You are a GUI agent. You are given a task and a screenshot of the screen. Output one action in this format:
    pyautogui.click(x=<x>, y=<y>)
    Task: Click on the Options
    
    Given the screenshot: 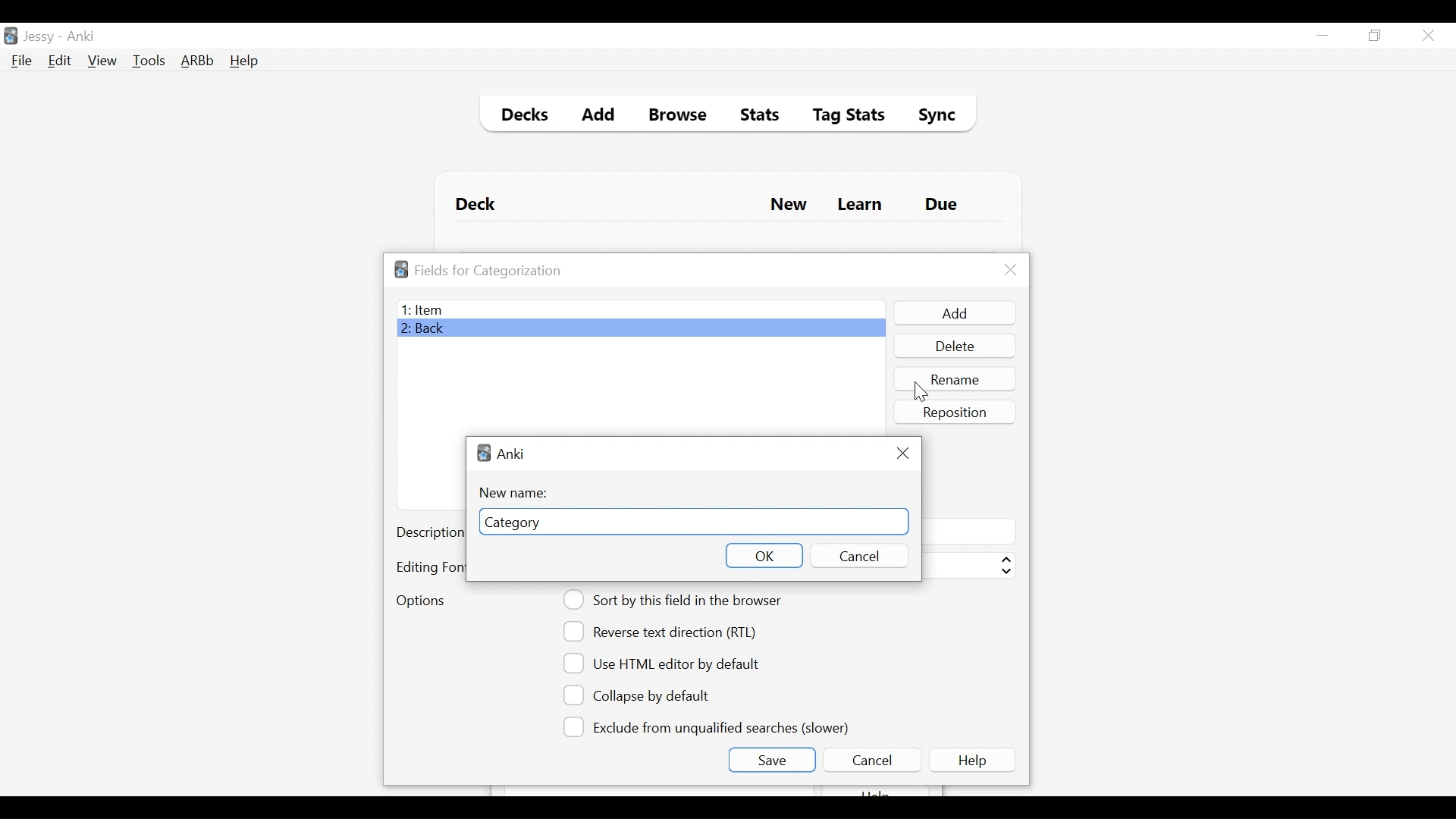 What is the action you would take?
    pyautogui.click(x=420, y=602)
    